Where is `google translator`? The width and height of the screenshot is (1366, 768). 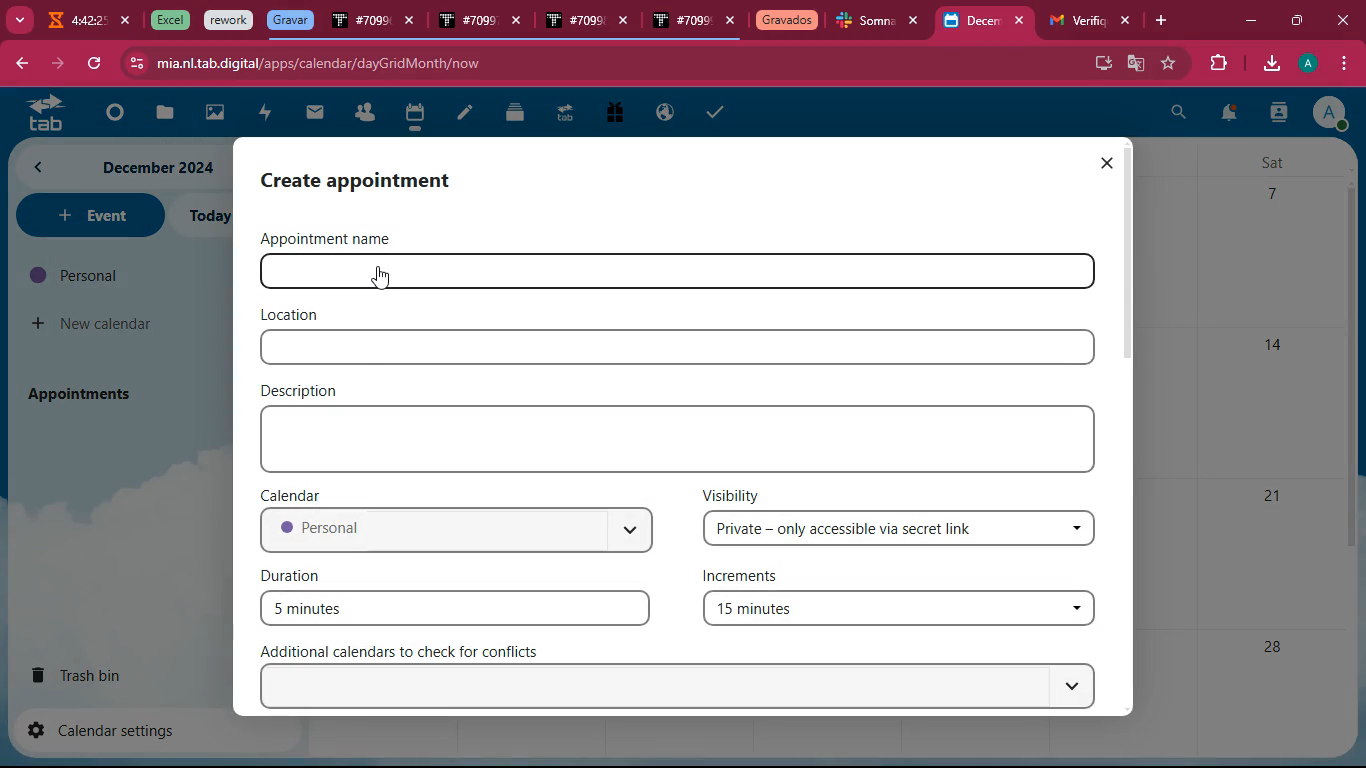 google translator is located at coordinates (1136, 63).